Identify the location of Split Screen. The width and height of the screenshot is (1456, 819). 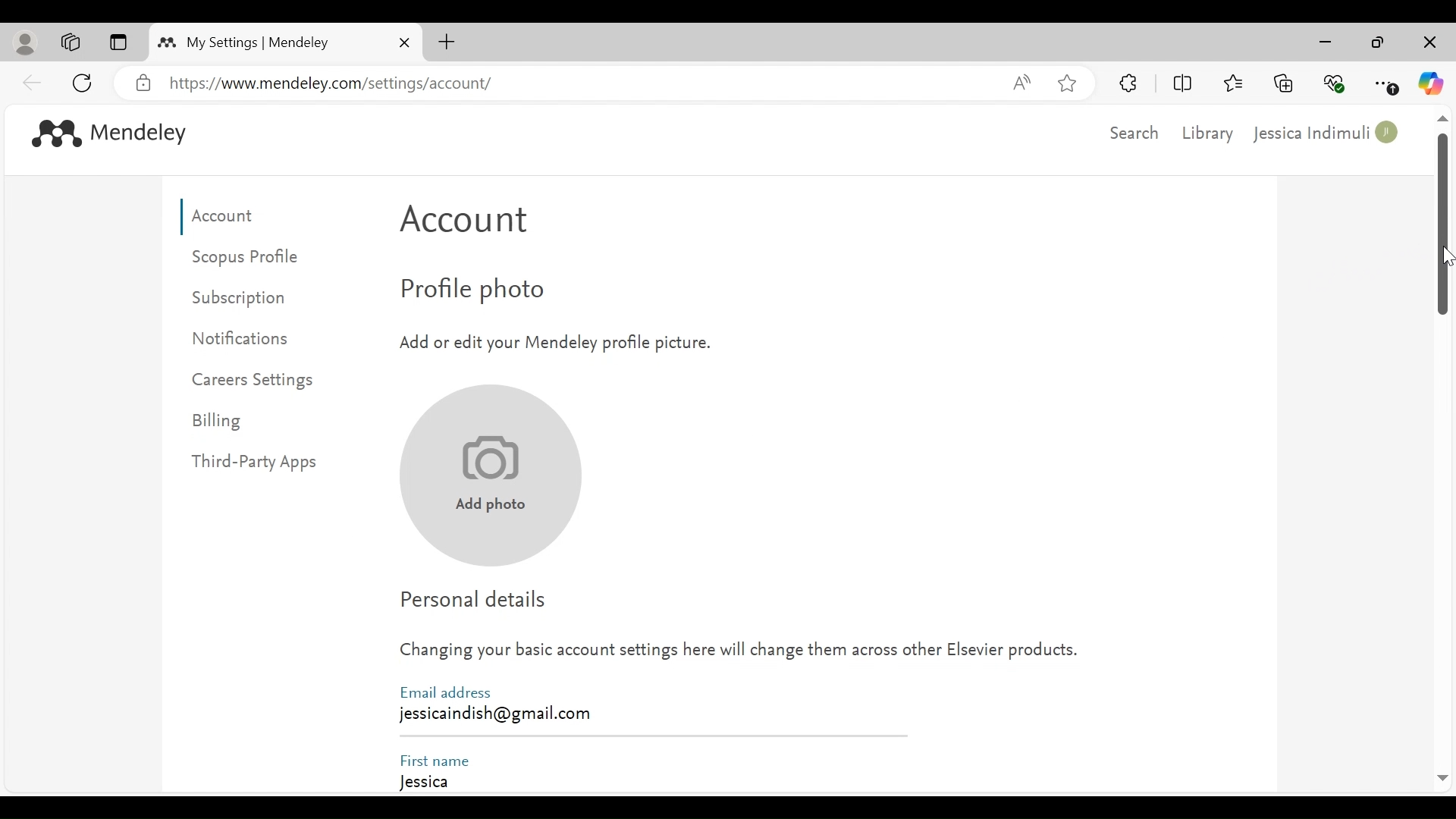
(1185, 83).